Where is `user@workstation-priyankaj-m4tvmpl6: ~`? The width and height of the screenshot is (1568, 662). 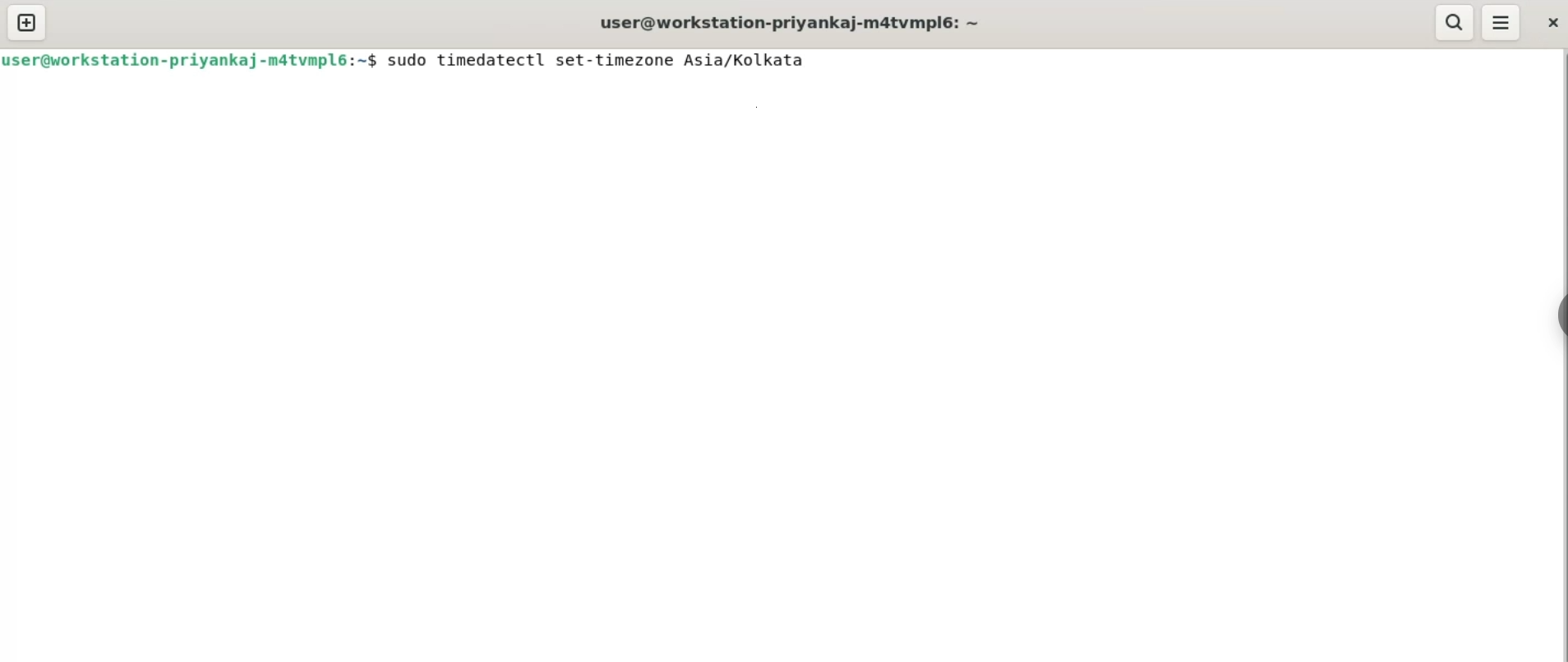 user@workstation-priyankaj-m4tvmpl6: ~ is located at coordinates (790, 23).